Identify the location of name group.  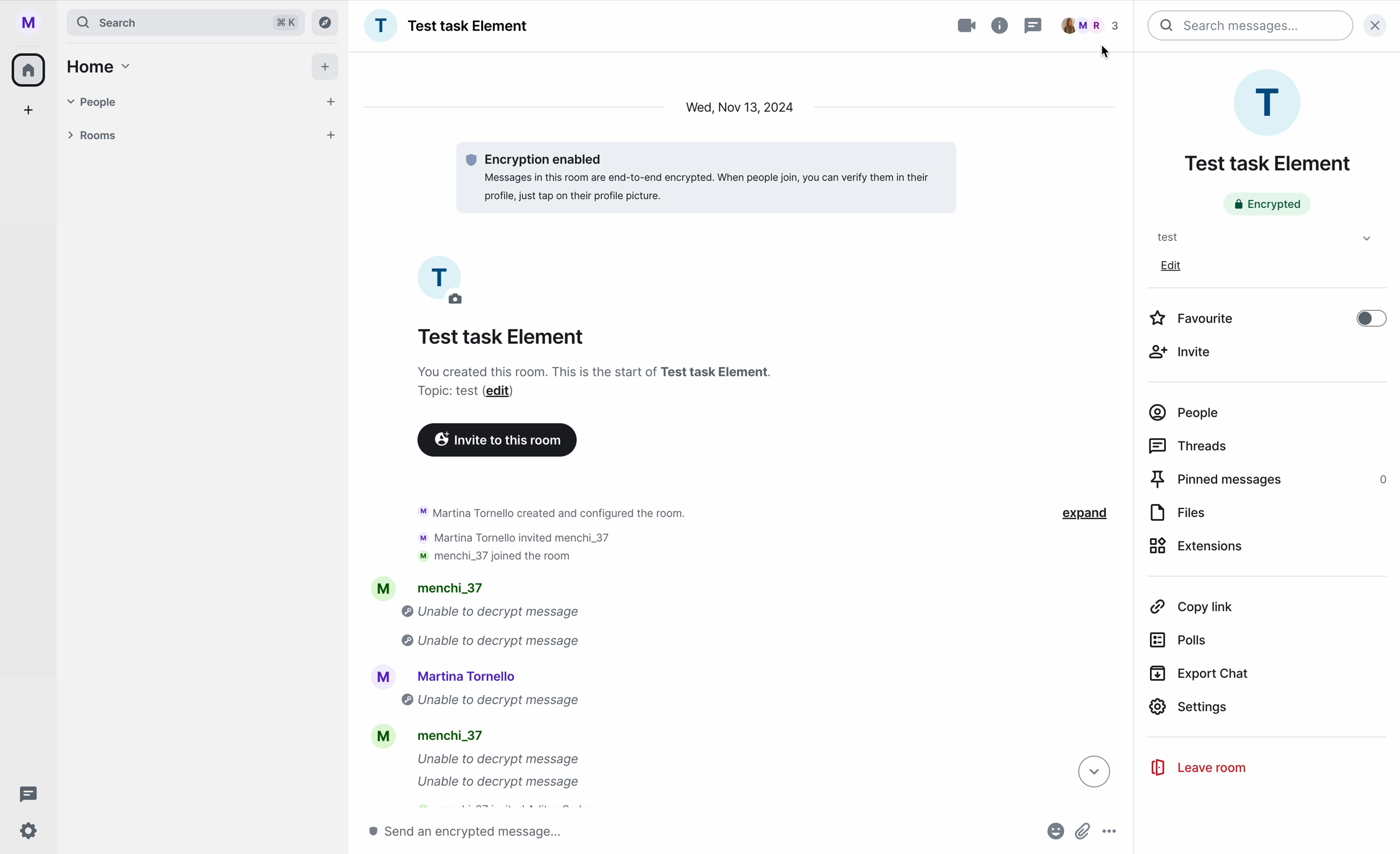
(449, 26).